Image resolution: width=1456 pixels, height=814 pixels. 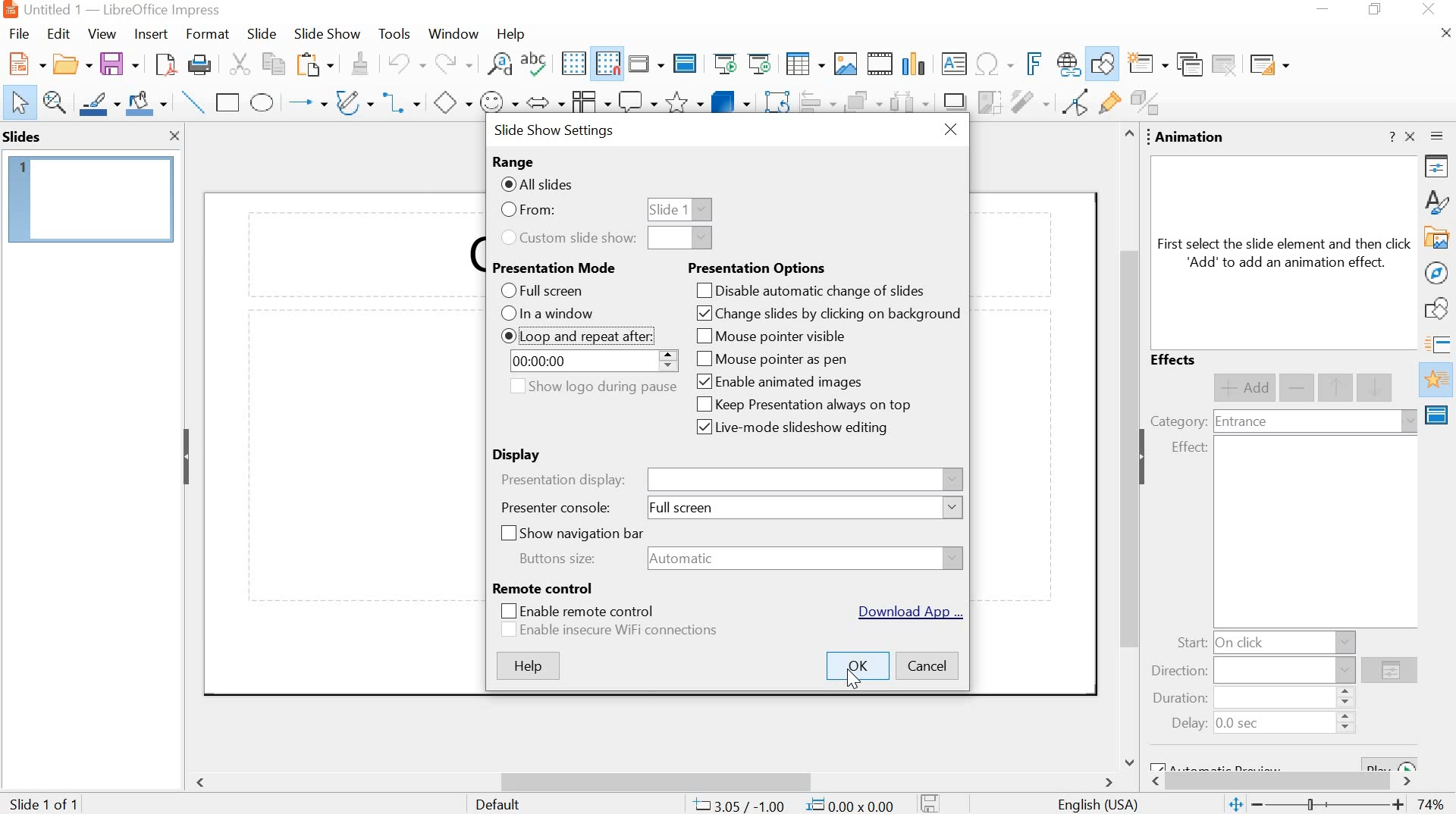 What do you see at coordinates (1326, 11) in the screenshot?
I see `minimize` at bounding box center [1326, 11].